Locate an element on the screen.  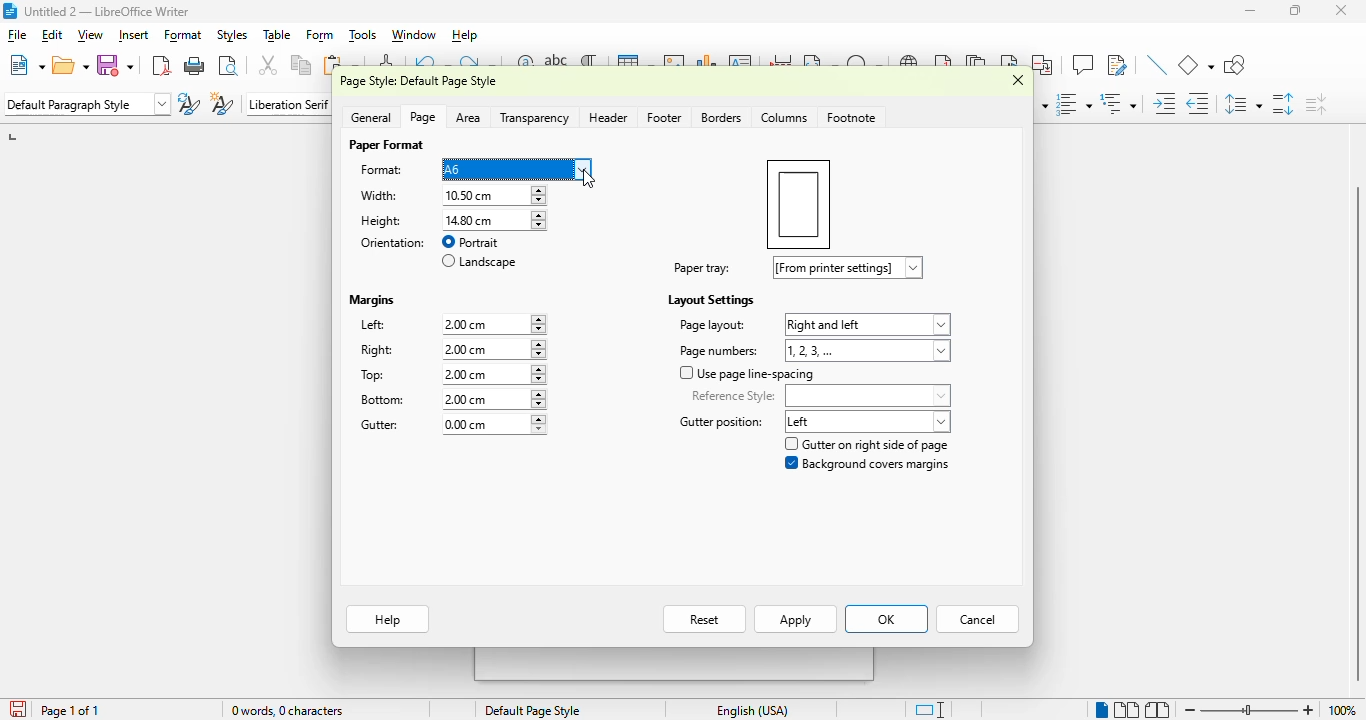
preview is located at coordinates (800, 204).